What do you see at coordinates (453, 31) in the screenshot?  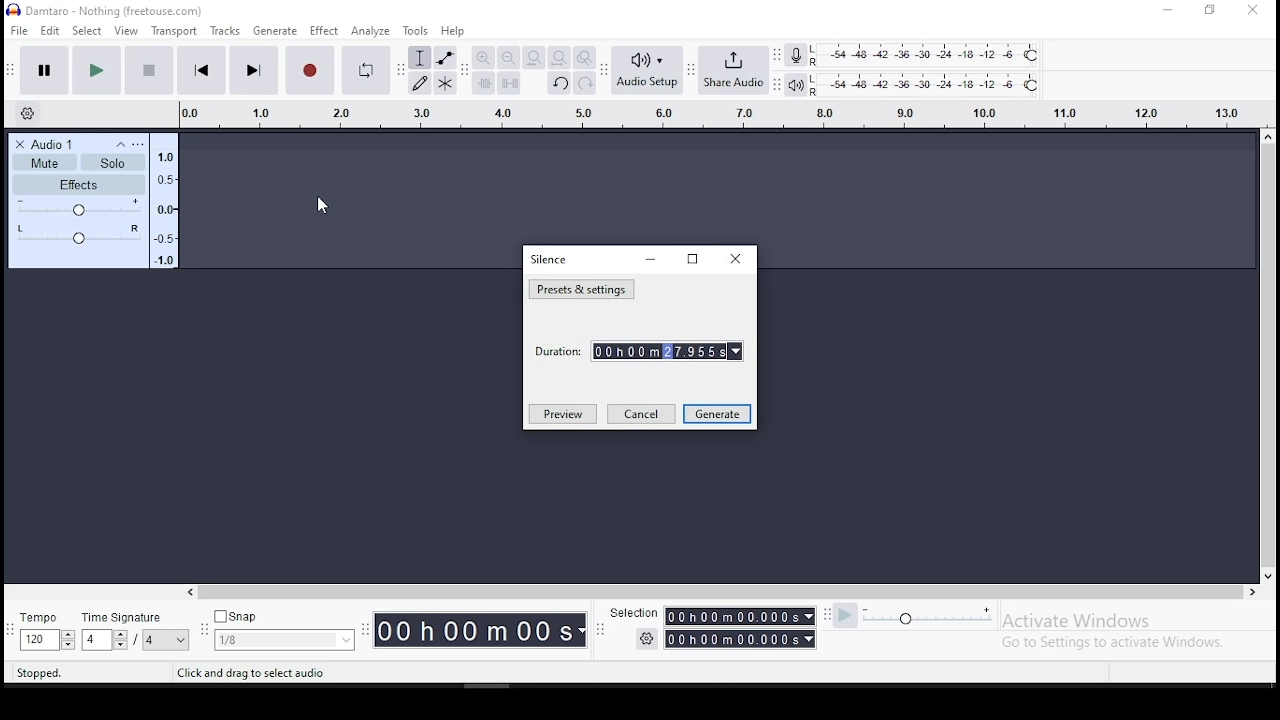 I see `help` at bounding box center [453, 31].